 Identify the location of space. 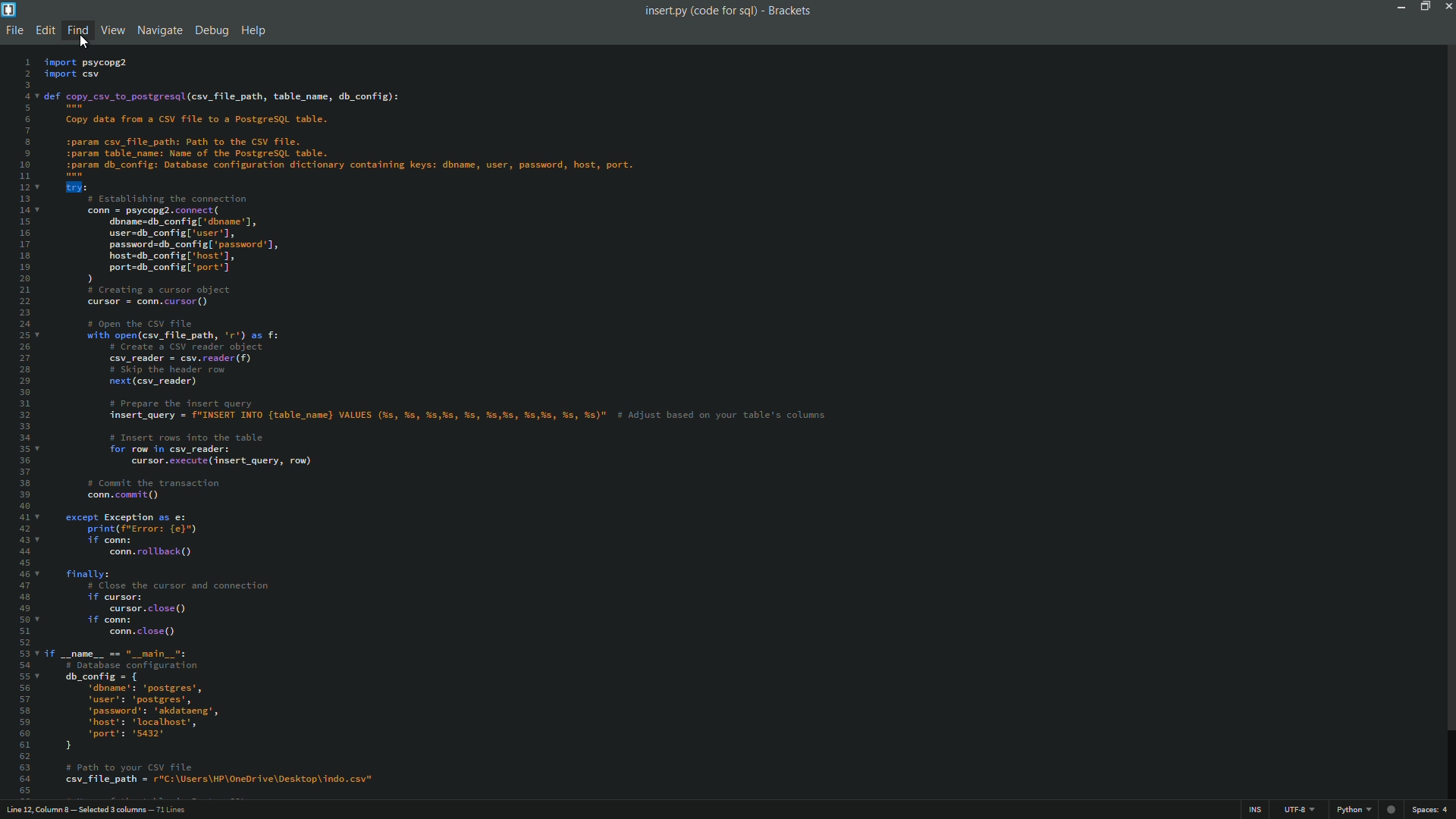
(1432, 810).